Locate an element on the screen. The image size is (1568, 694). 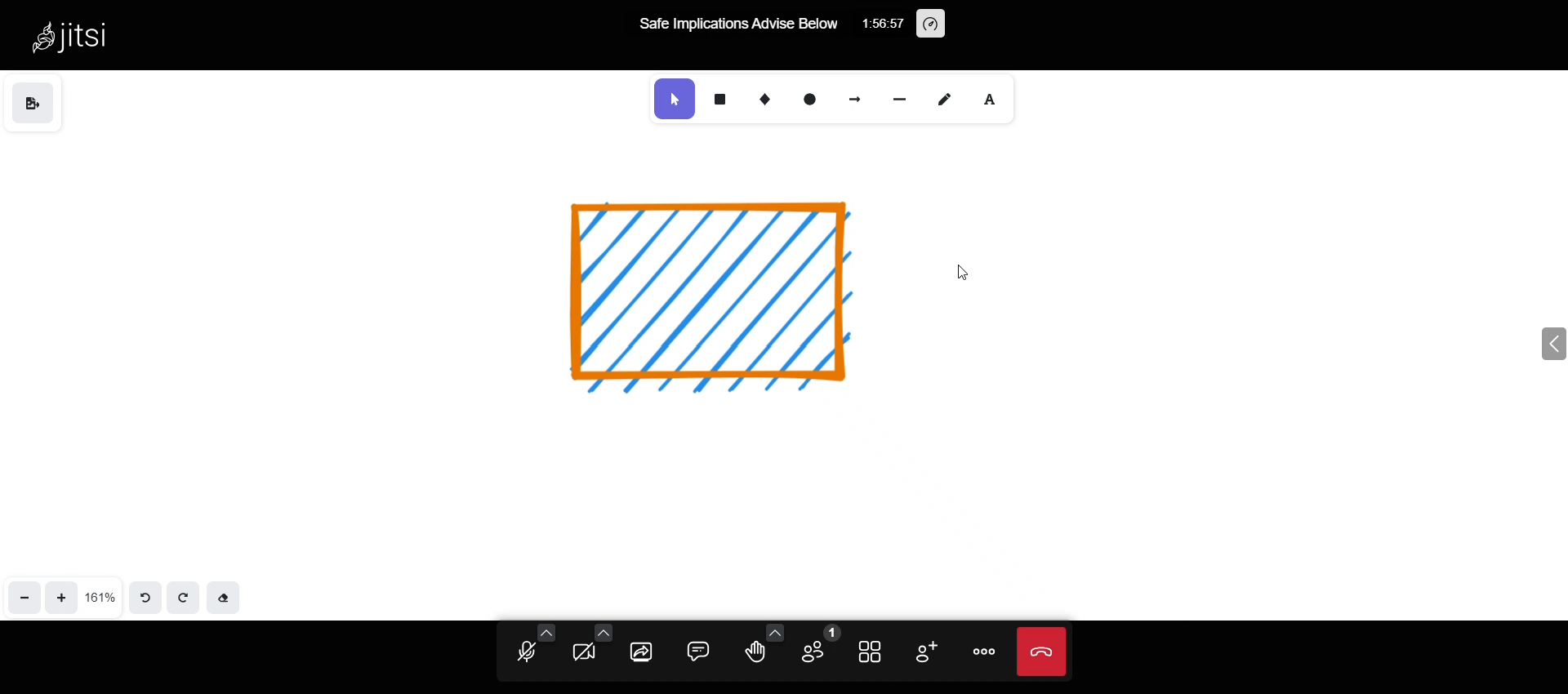
toggle view is located at coordinates (866, 653).